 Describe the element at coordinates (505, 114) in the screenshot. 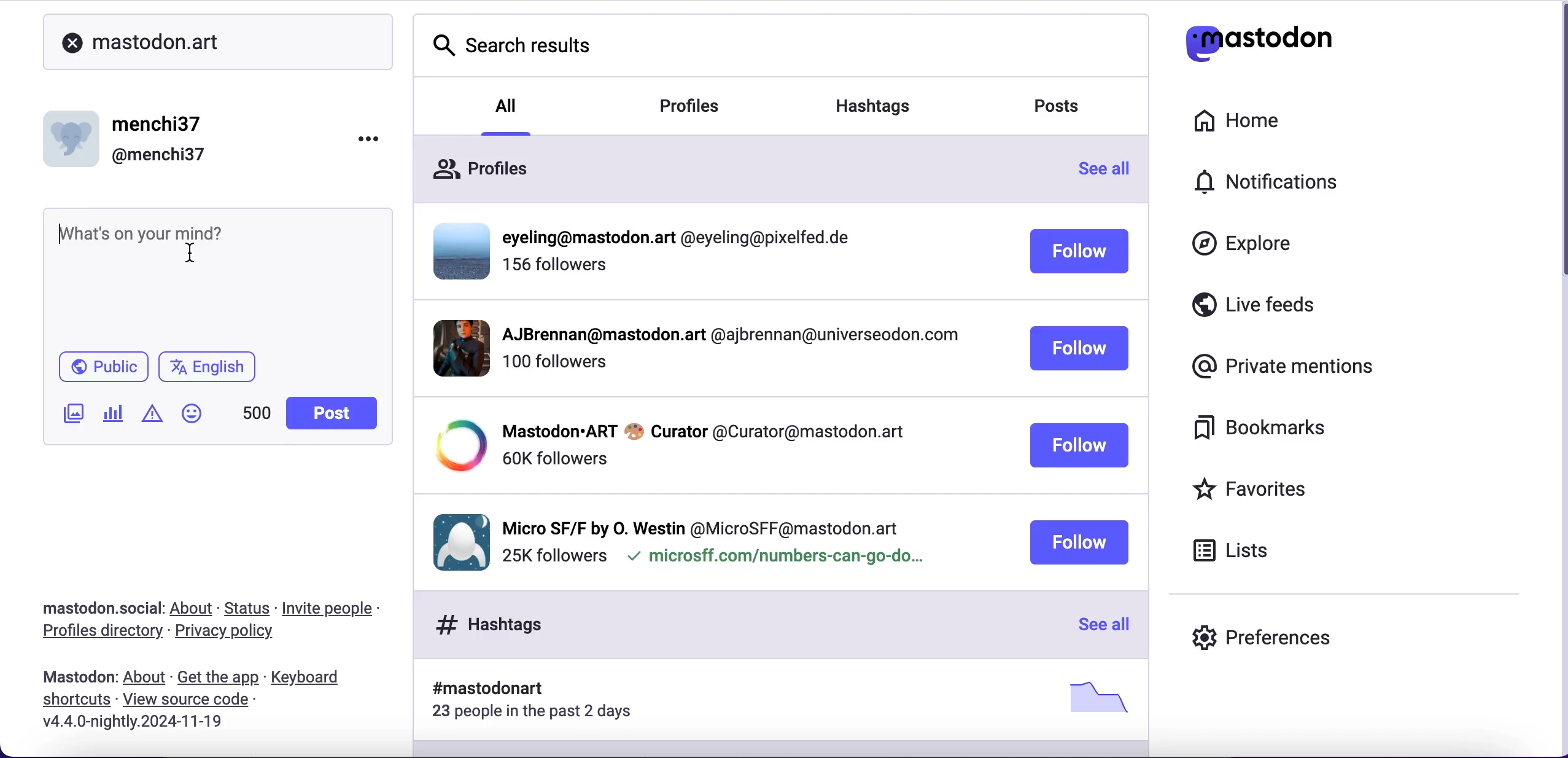

I see `all` at that location.